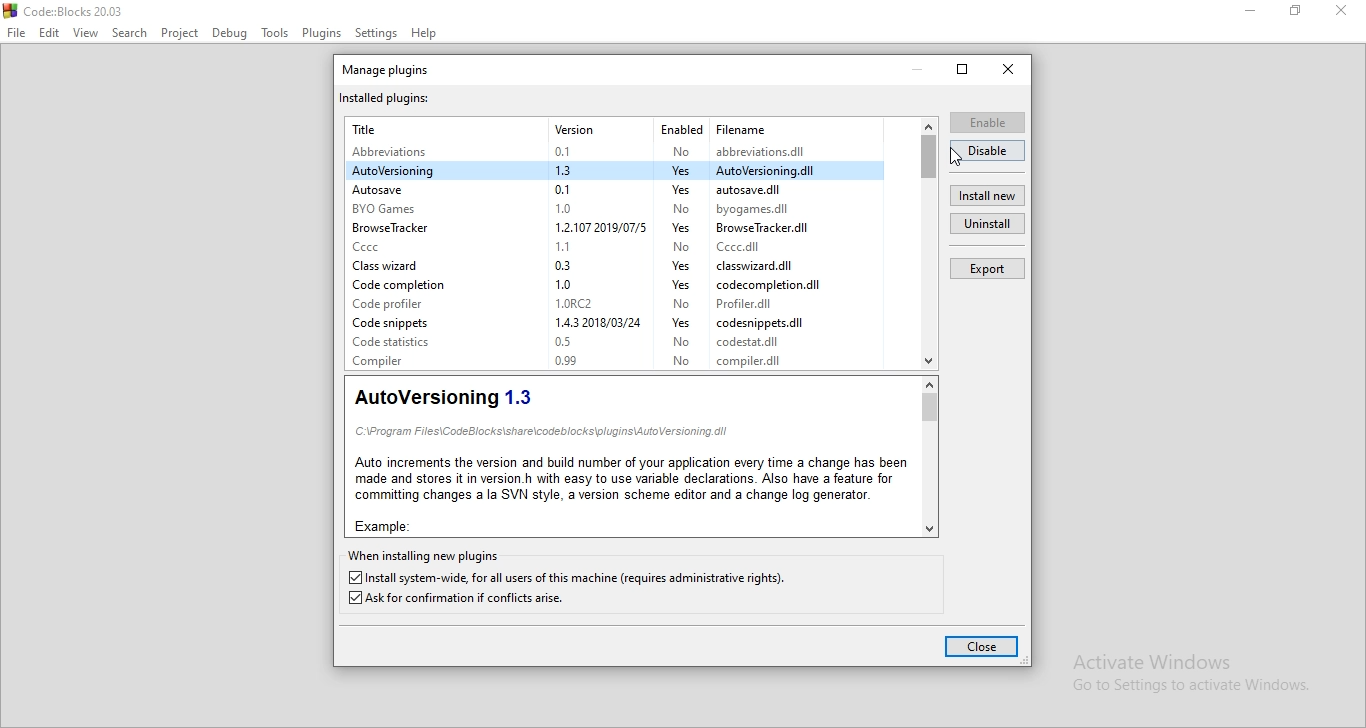 Image resolution: width=1366 pixels, height=728 pixels. What do you see at coordinates (570, 303) in the screenshot?
I see `1.0RC2` at bounding box center [570, 303].